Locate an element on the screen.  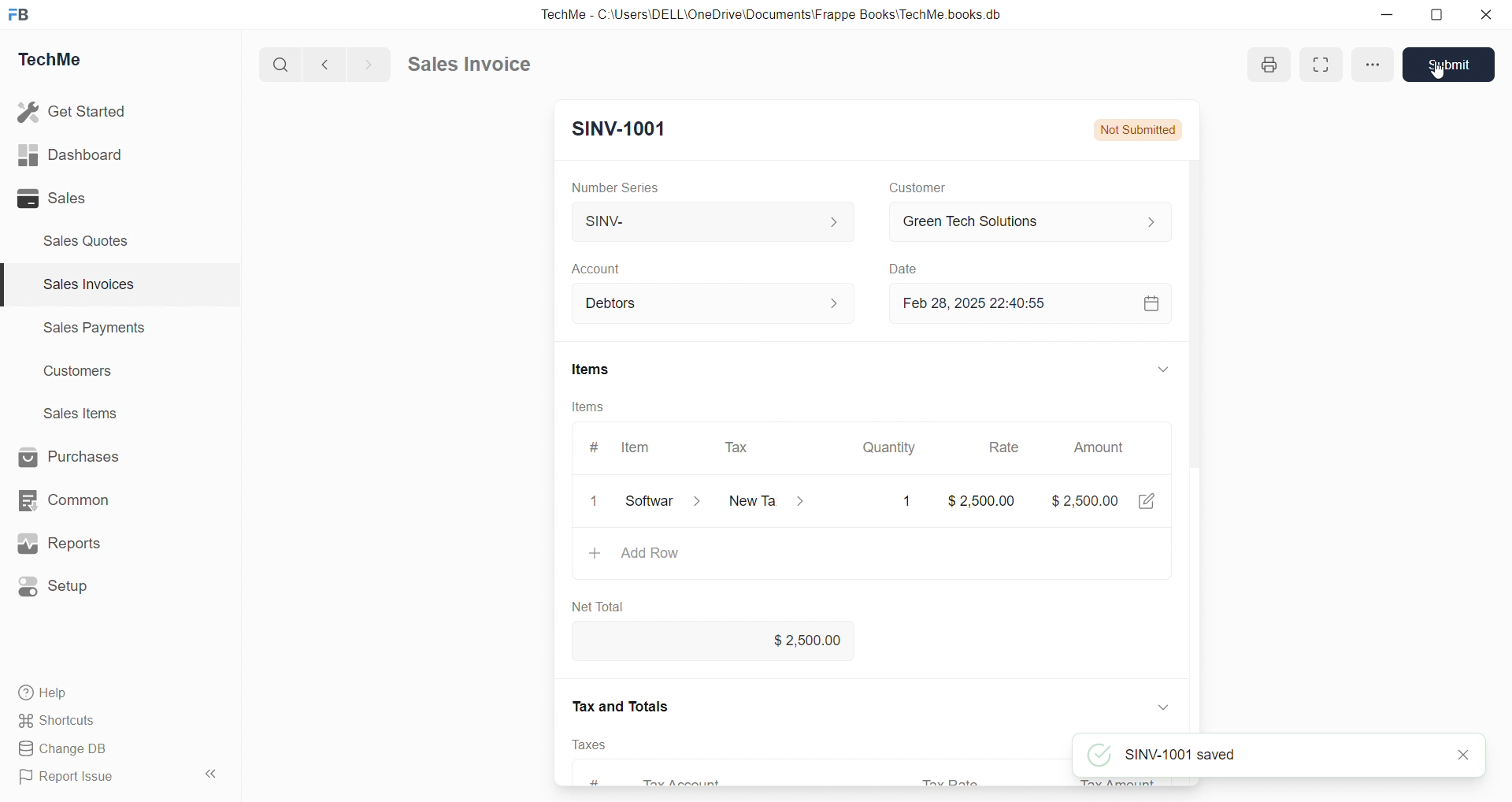
Sales invoice is located at coordinates (468, 63).